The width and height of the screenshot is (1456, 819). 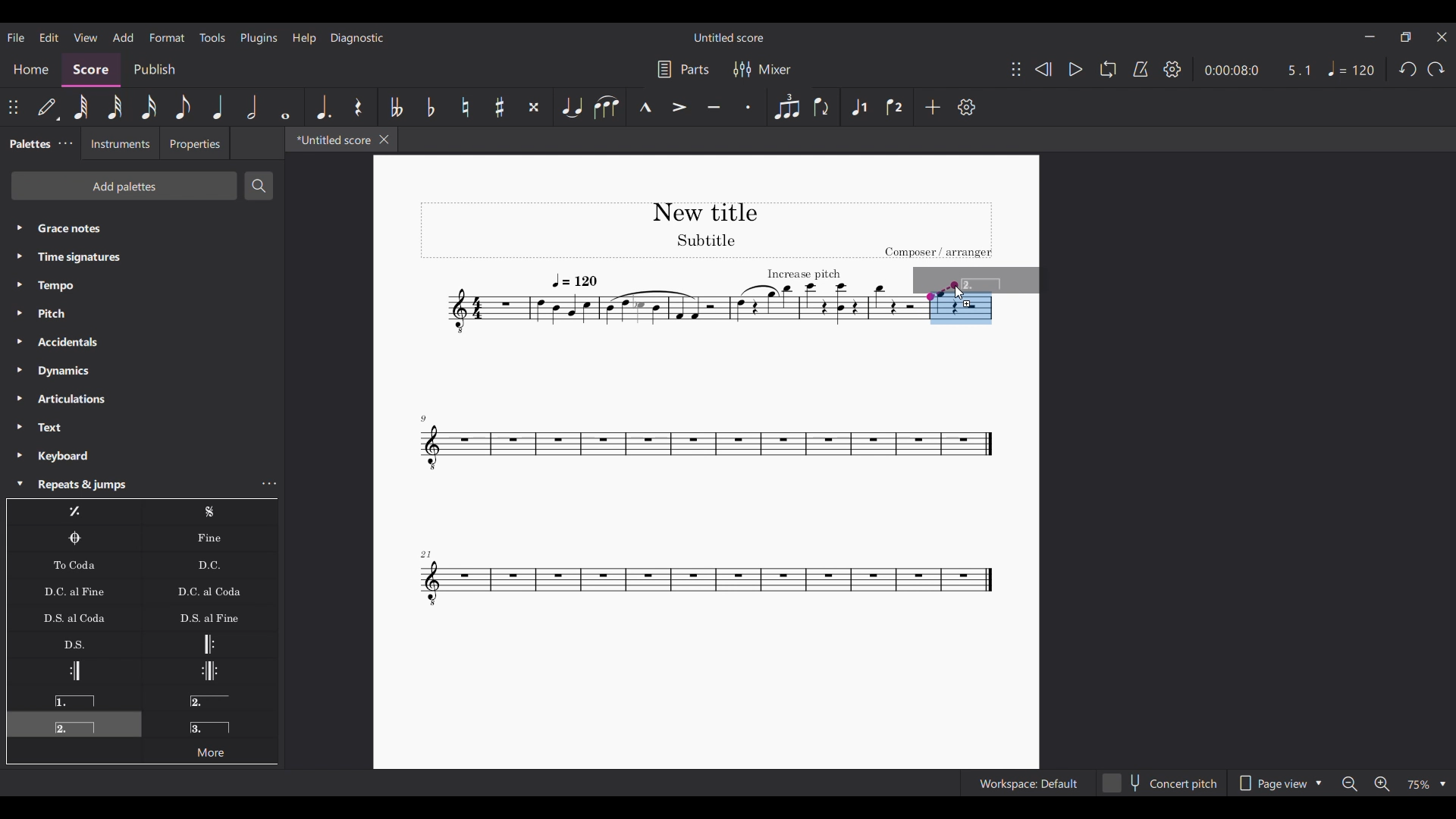 I want to click on Zoom in, so click(x=1382, y=783).